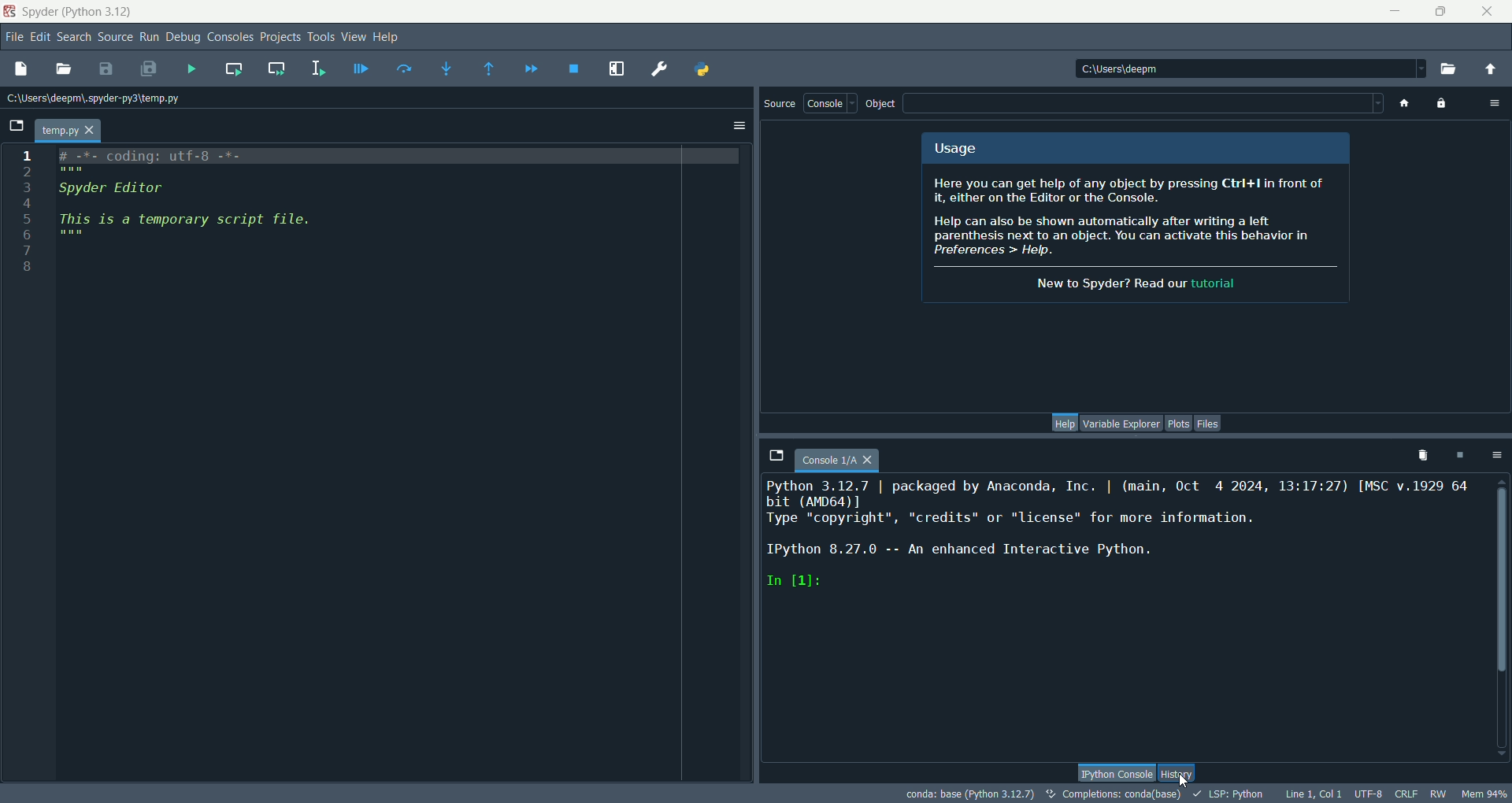 The image size is (1512, 803). What do you see at coordinates (1395, 12) in the screenshot?
I see `minimize` at bounding box center [1395, 12].